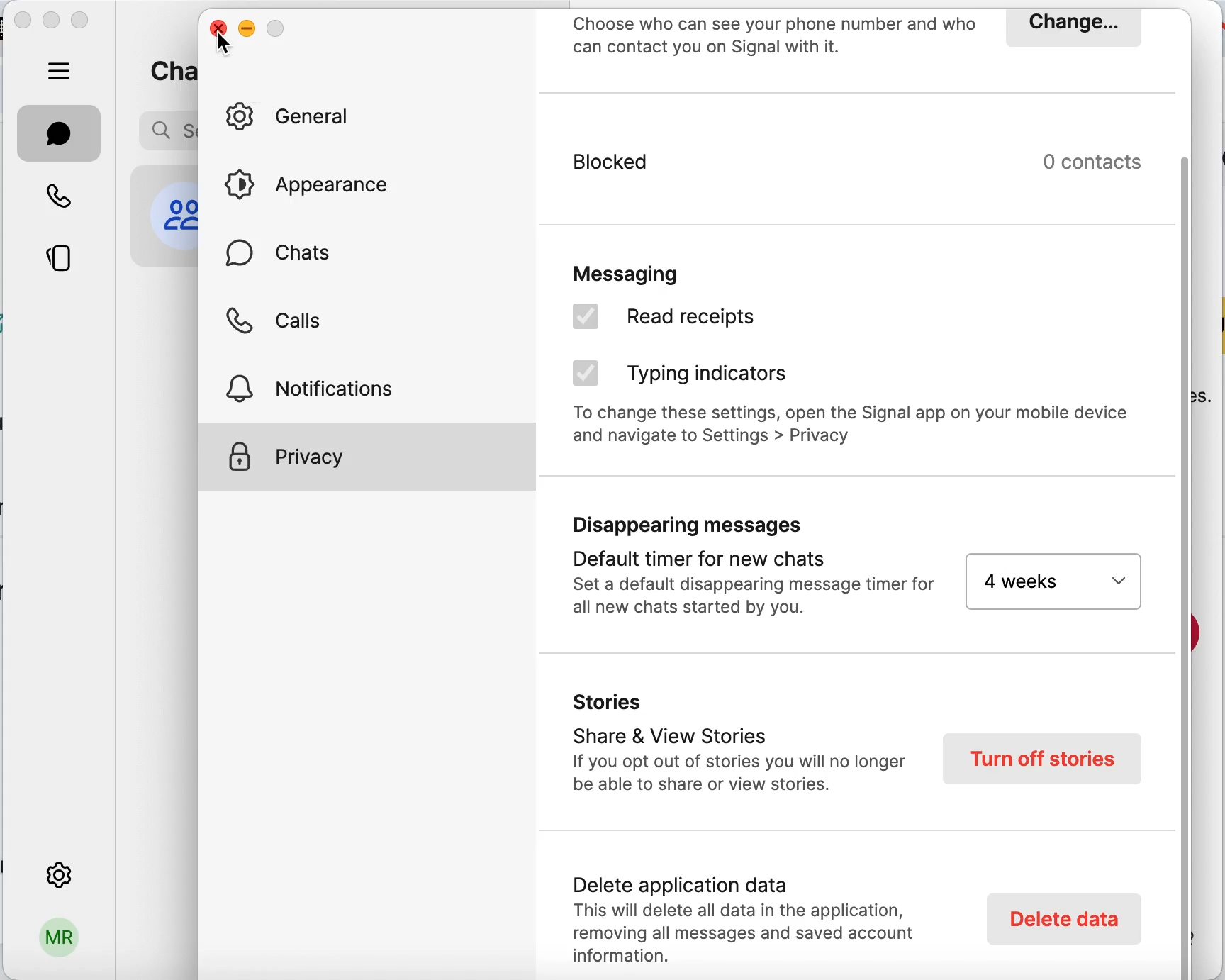 The image size is (1225, 980). What do you see at coordinates (248, 26) in the screenshot?
I see `minimize` at bounding box center [248, 26].